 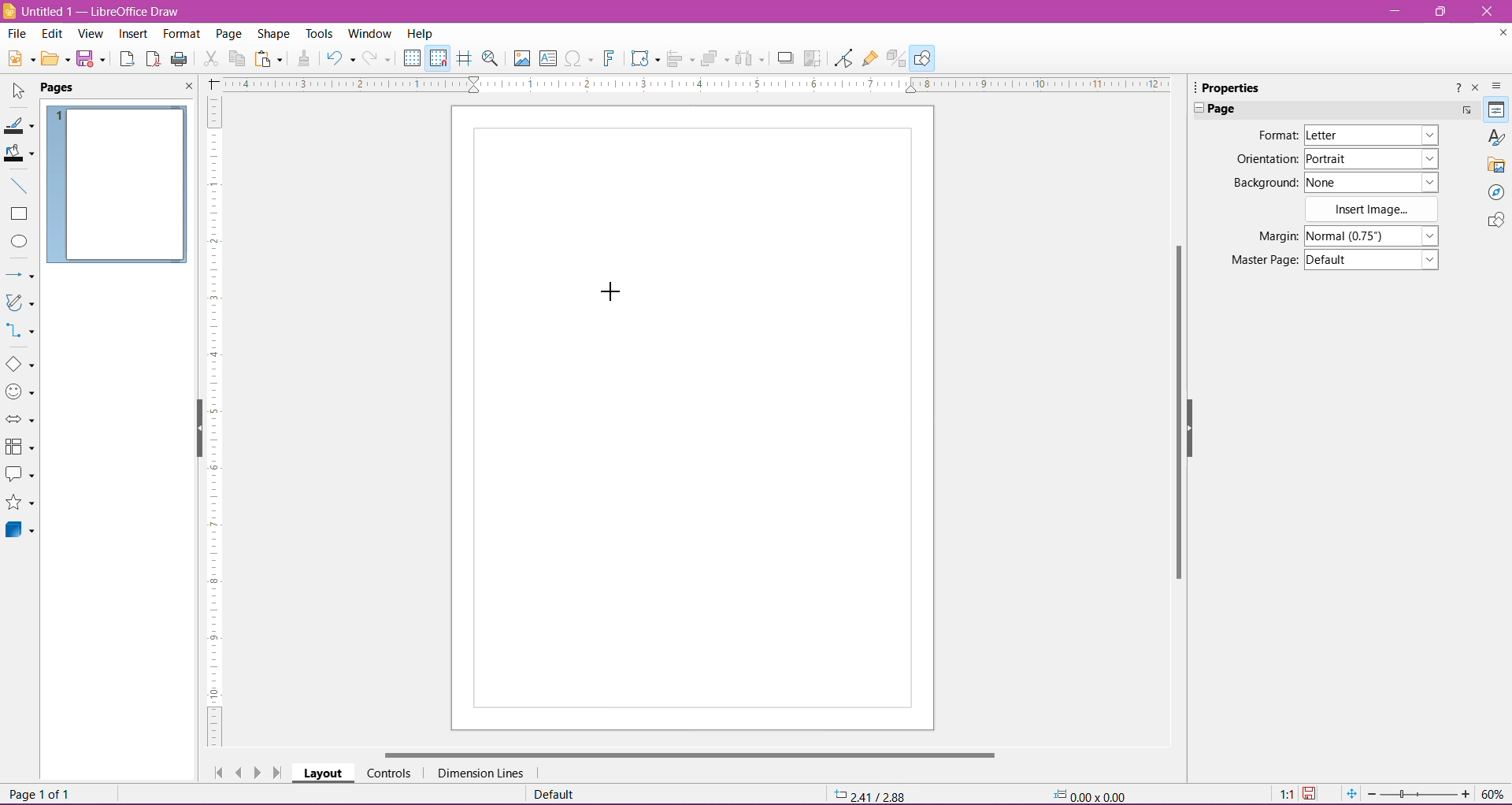 I want to click on Zoom In, so click(x=1466, y=793).